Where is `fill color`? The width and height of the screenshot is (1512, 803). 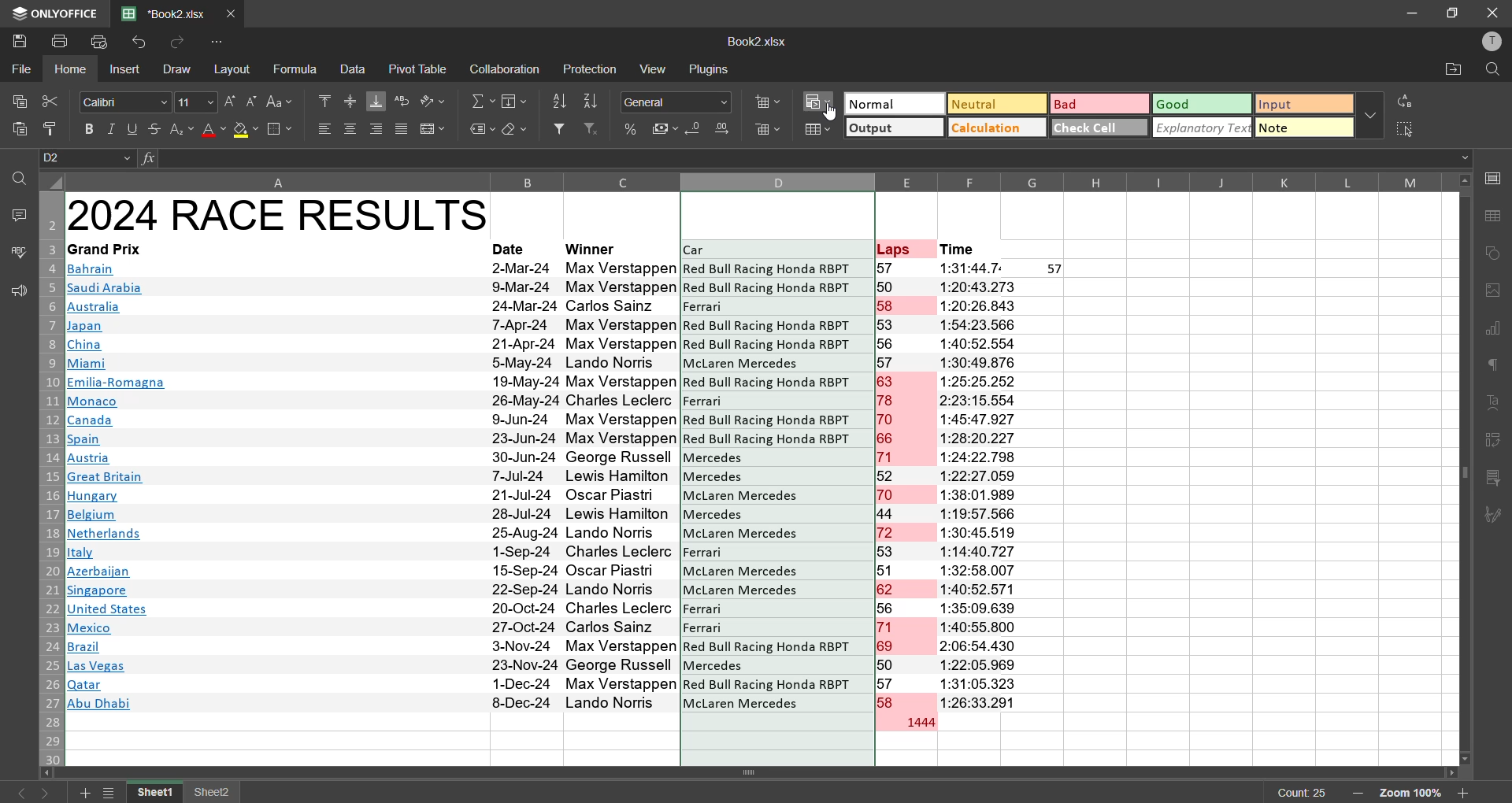 fill color is located at coordinates (246, 131).